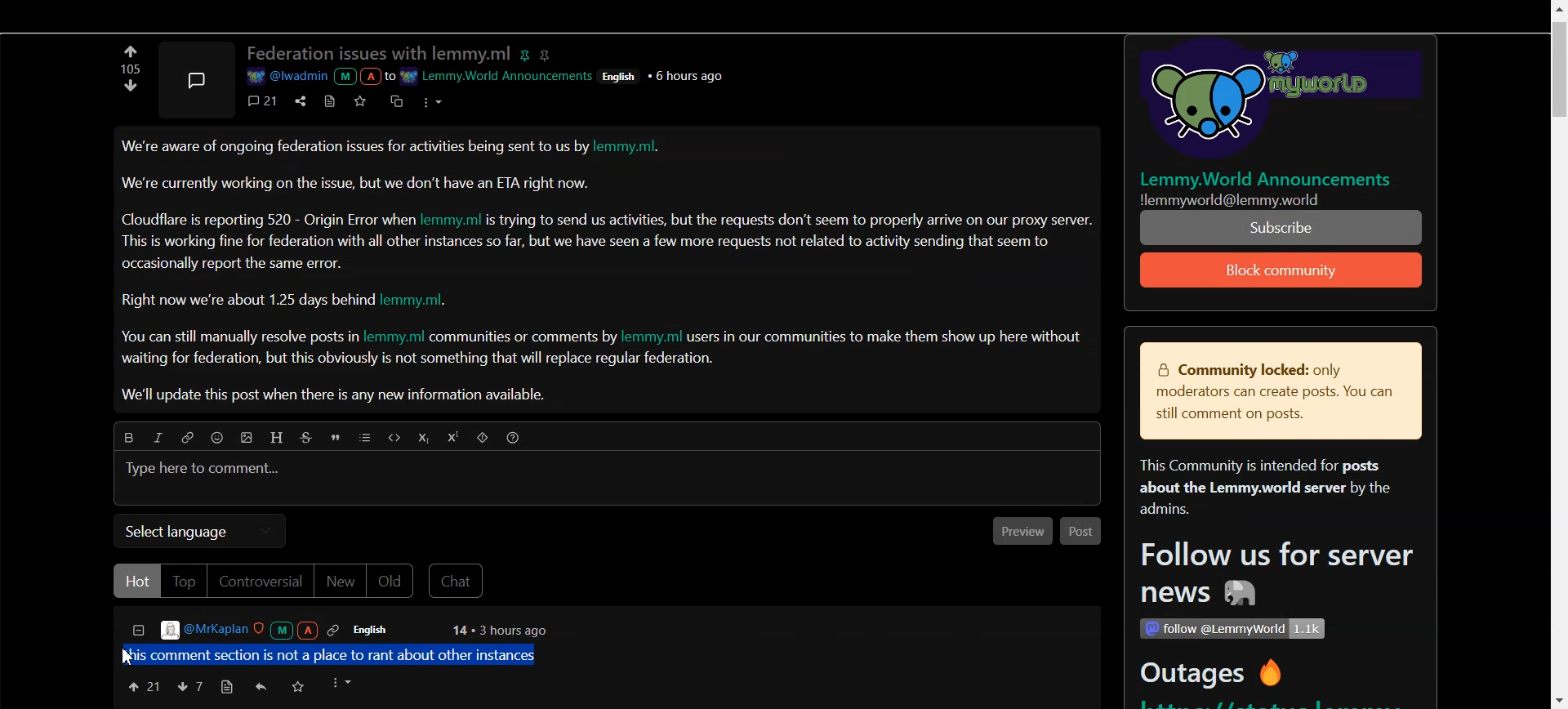 The width and height of the screenshot is (1568, 709). I want to click on Top, so click(183, 581).